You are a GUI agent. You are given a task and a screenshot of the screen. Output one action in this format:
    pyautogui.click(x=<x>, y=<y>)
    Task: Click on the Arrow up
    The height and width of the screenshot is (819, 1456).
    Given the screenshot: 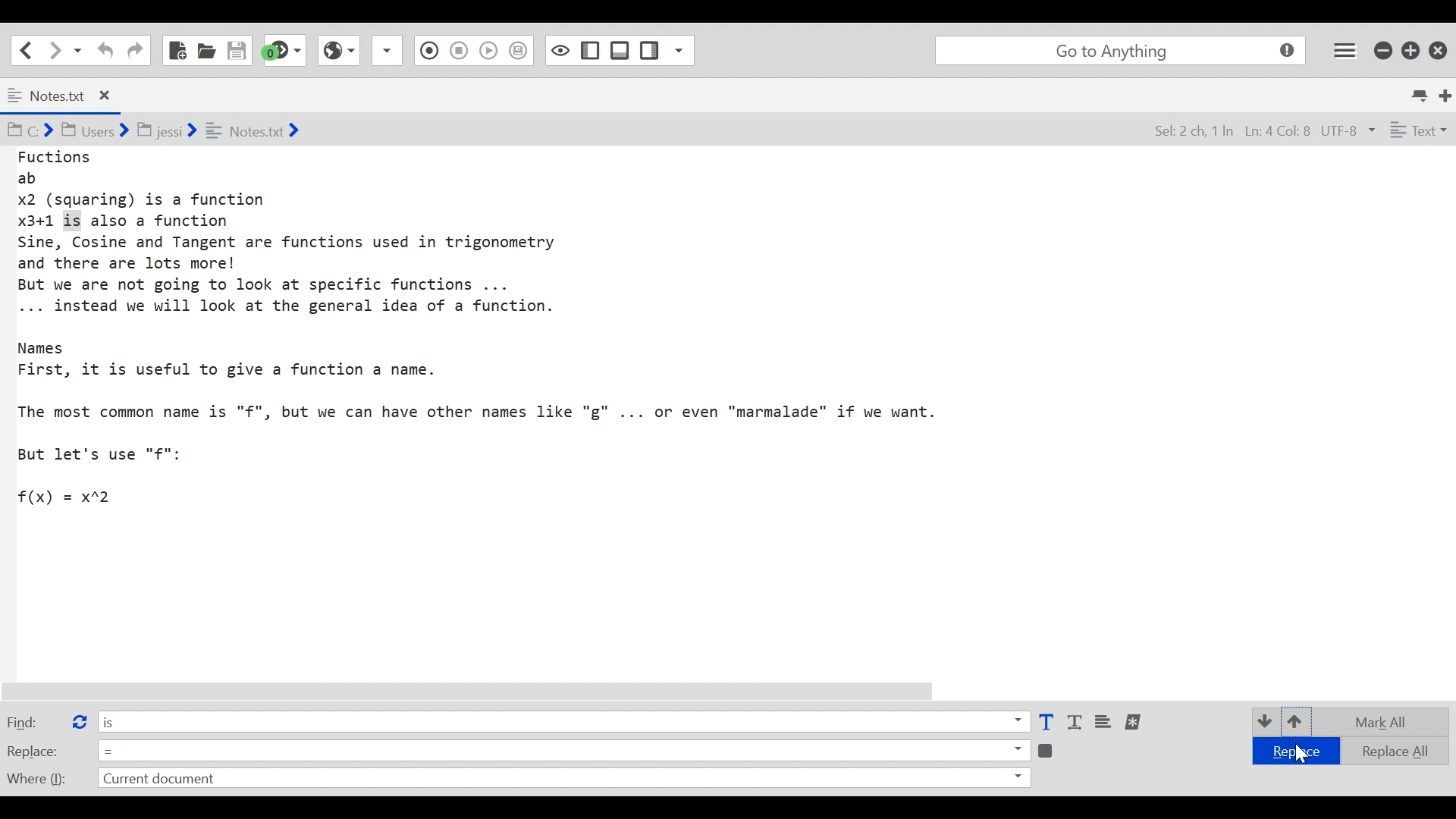 What is the action you would take?
    pyautogui.click(x=1296, y=723)
    